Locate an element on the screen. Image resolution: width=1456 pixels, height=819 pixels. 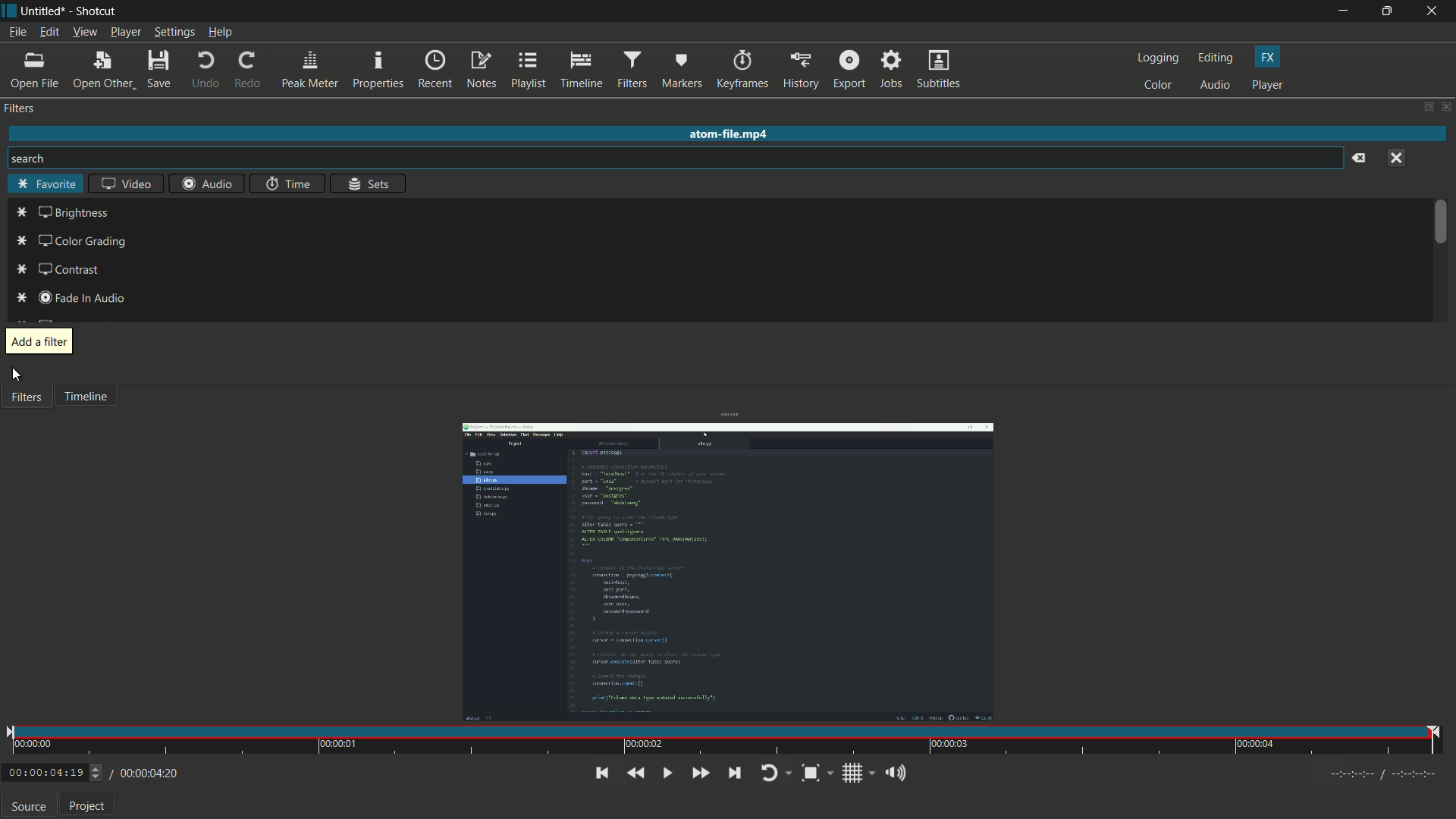
editing is located at coordinates (1219, 58).